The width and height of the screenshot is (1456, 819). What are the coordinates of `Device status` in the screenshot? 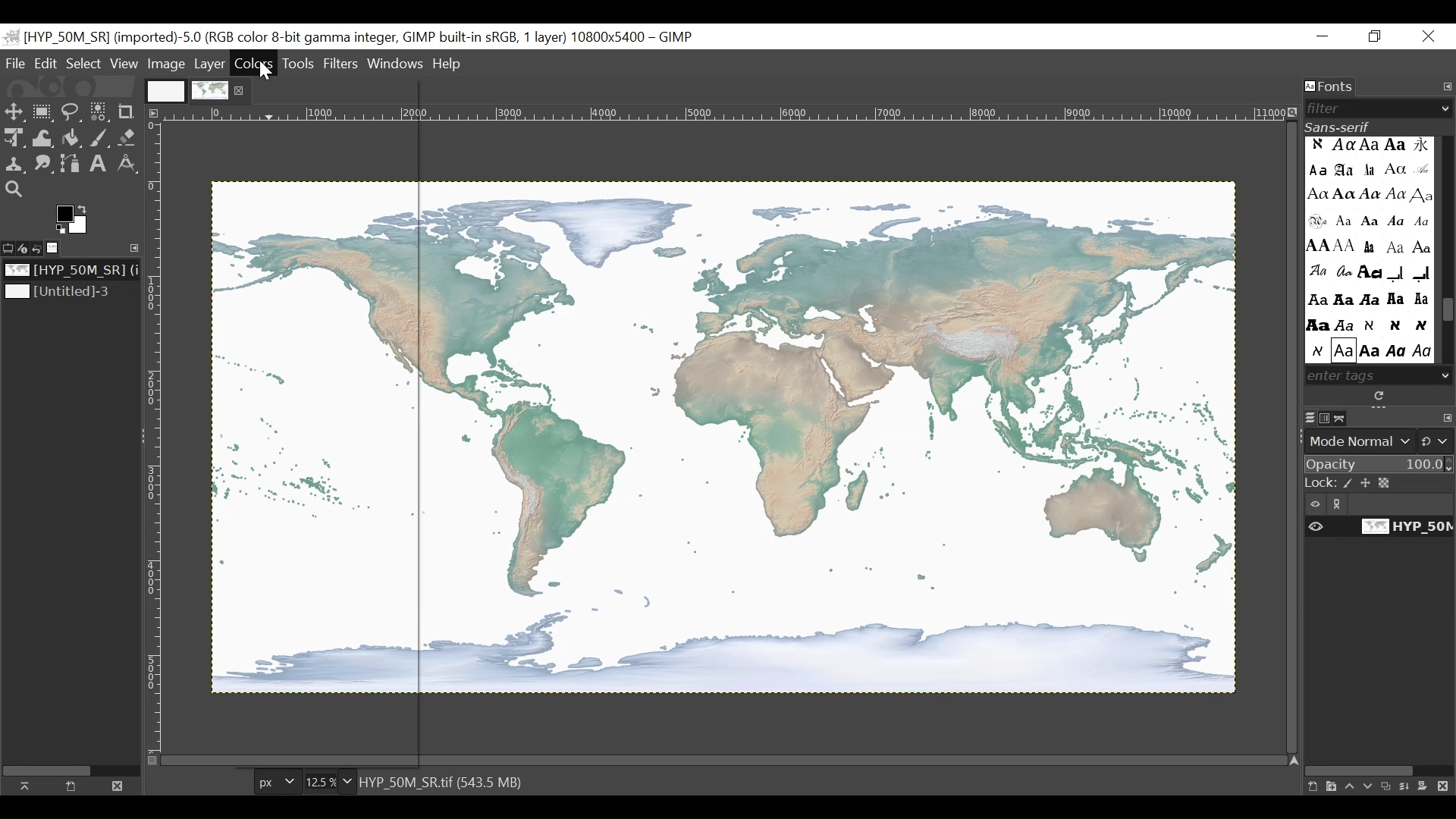 It's located at (25, 247).